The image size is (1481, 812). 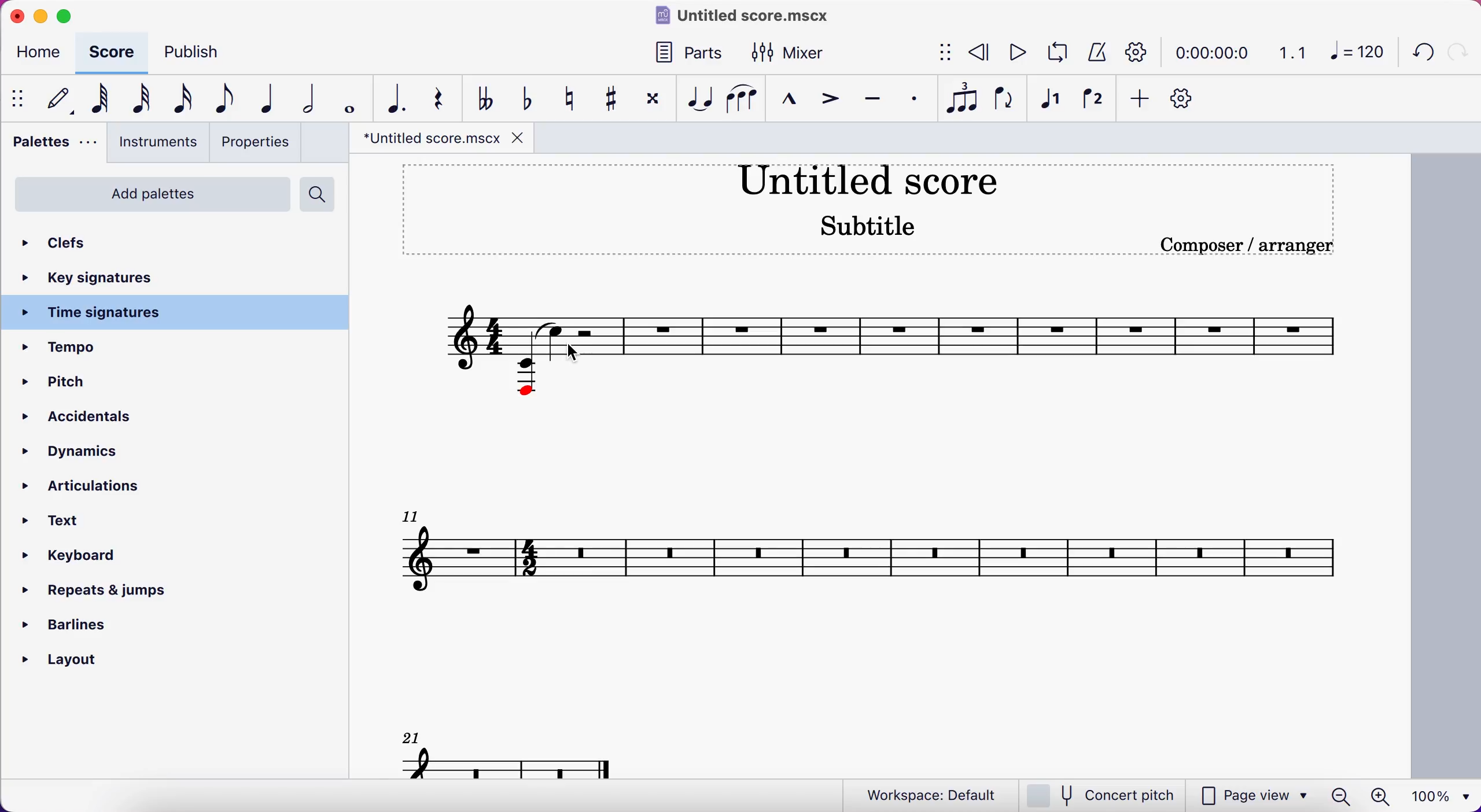 I want to click on 64th note, so click(x=105, y=100).